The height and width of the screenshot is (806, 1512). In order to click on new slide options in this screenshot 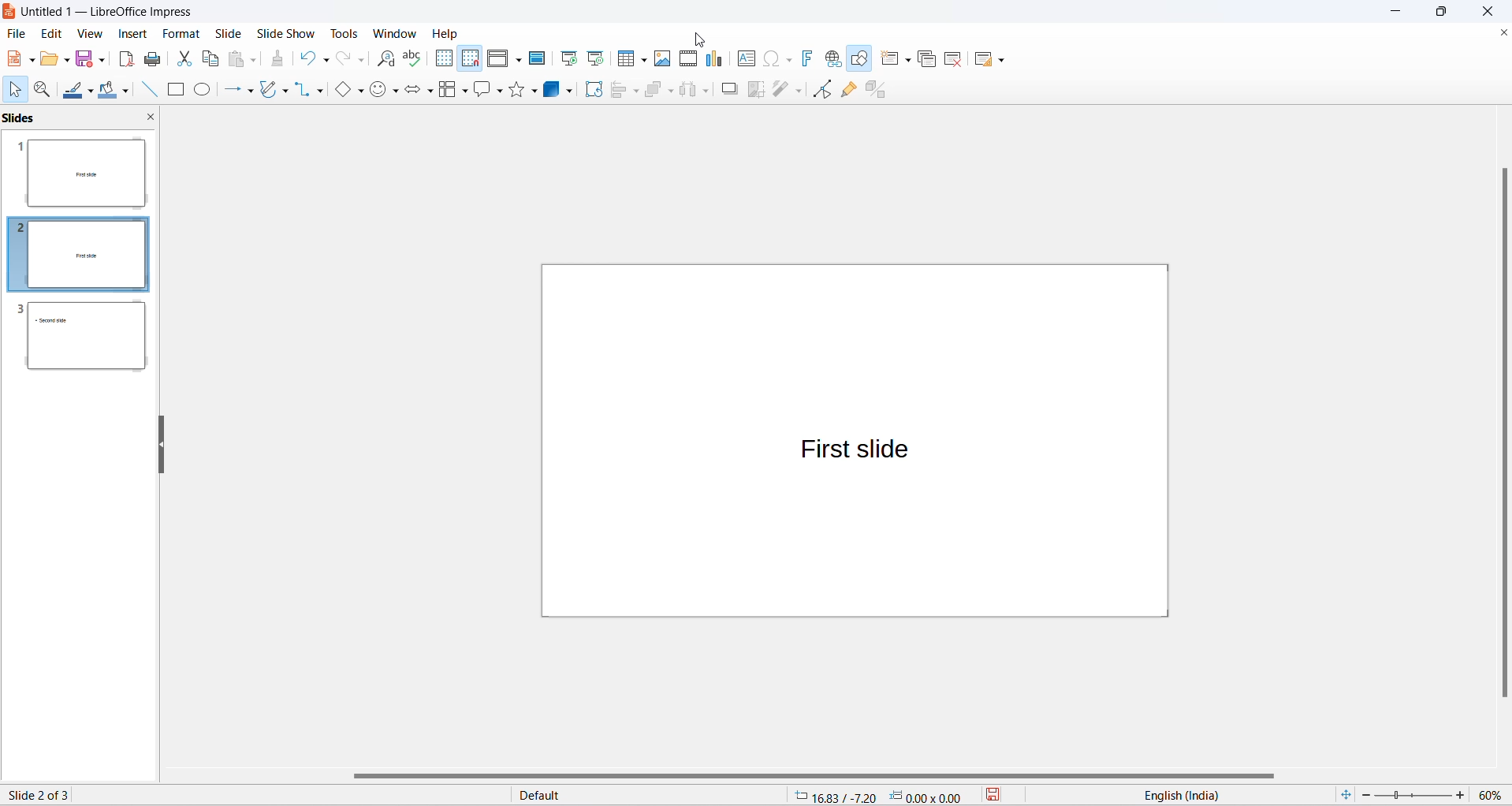, I will do `click(907, 61)`.